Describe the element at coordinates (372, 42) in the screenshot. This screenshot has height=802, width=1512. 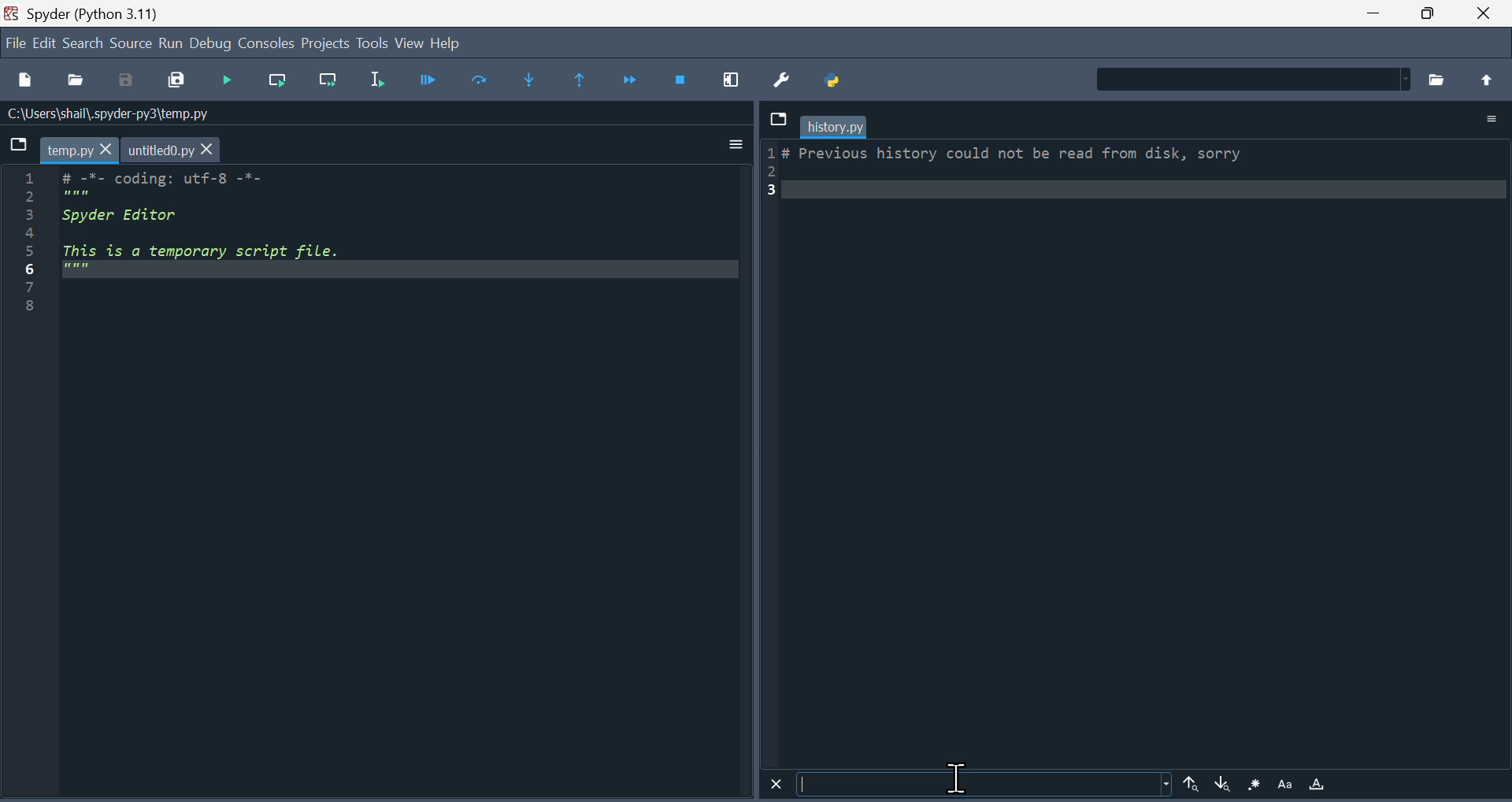
I see `Tools` at that location.